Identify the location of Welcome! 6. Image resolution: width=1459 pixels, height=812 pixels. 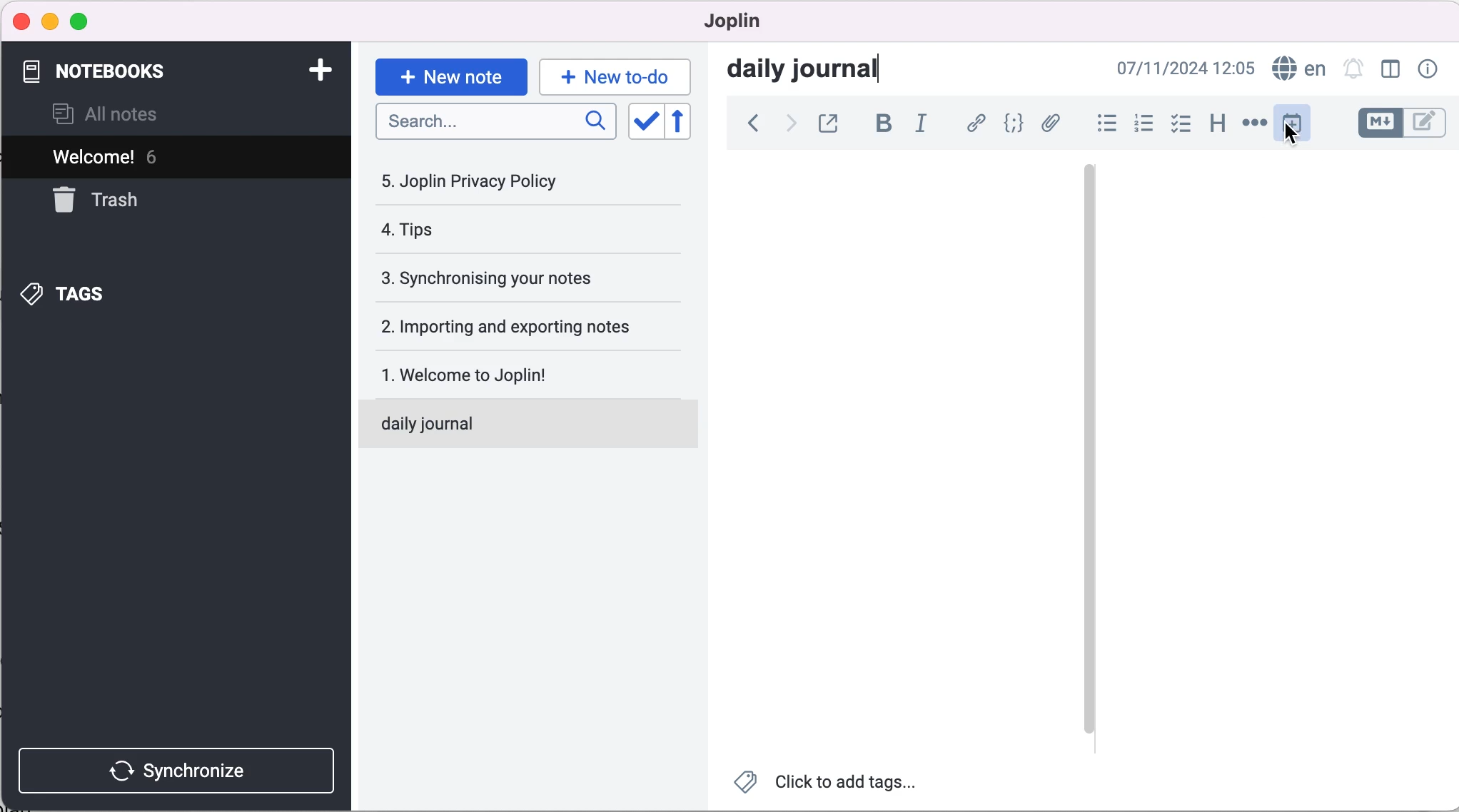
(143, 159).